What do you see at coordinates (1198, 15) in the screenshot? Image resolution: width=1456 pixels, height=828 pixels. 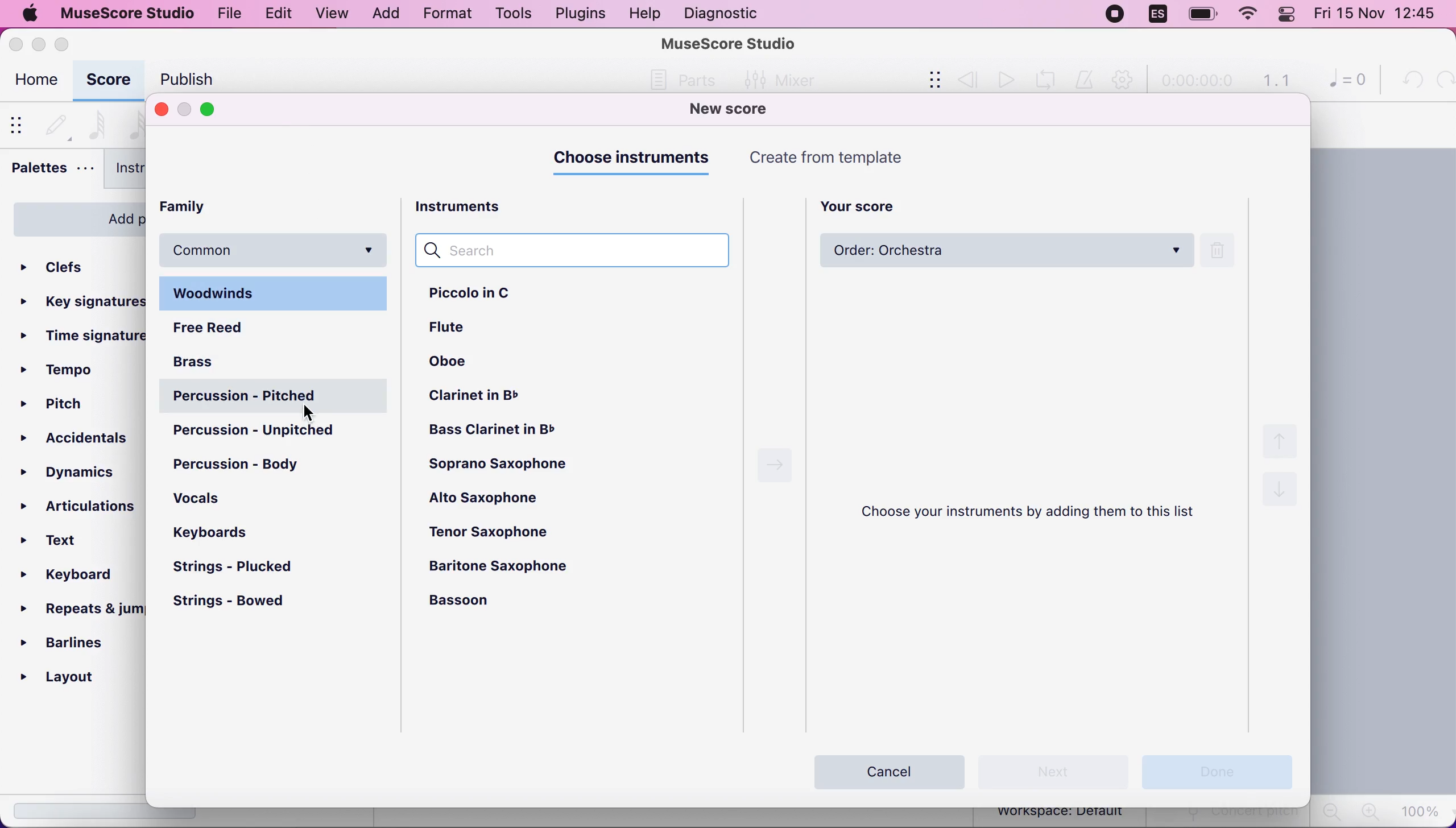 I see `battery` at bounding box center [1198, 15].